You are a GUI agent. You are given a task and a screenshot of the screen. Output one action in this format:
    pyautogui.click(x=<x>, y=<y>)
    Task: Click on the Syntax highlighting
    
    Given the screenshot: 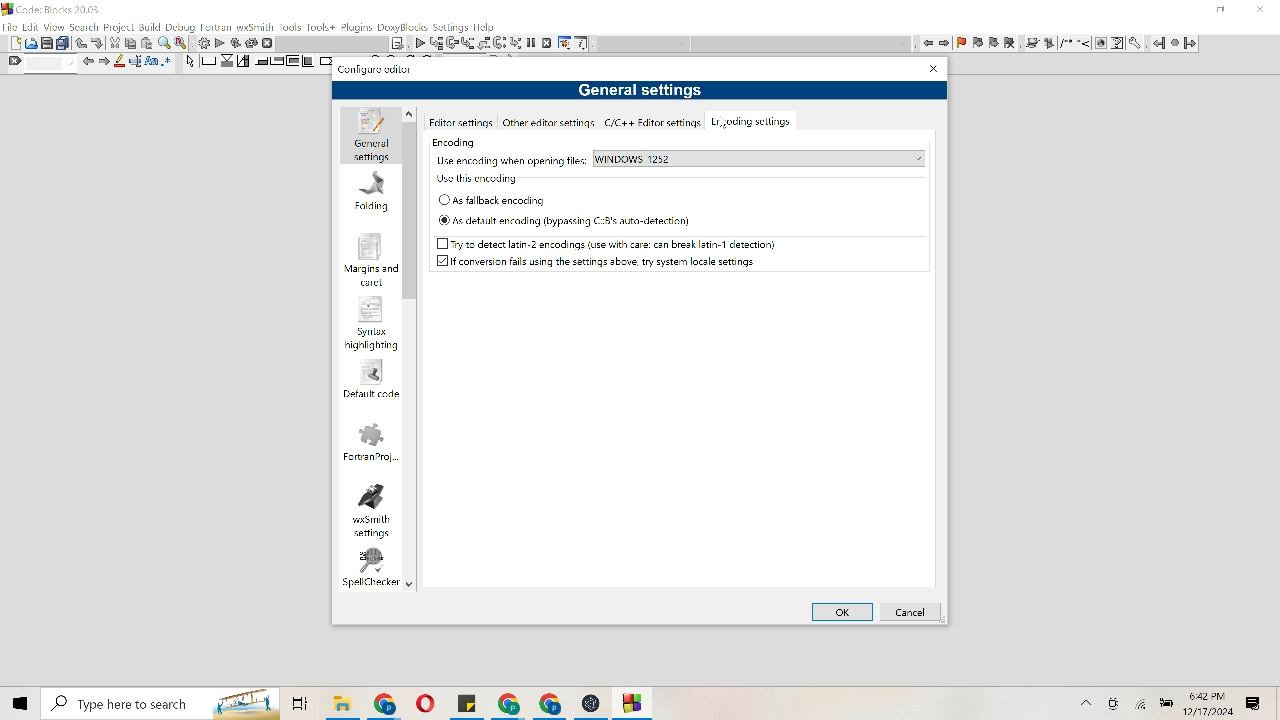 What is the action you would take?
    pyautogui.click(x=370, y=323)
    